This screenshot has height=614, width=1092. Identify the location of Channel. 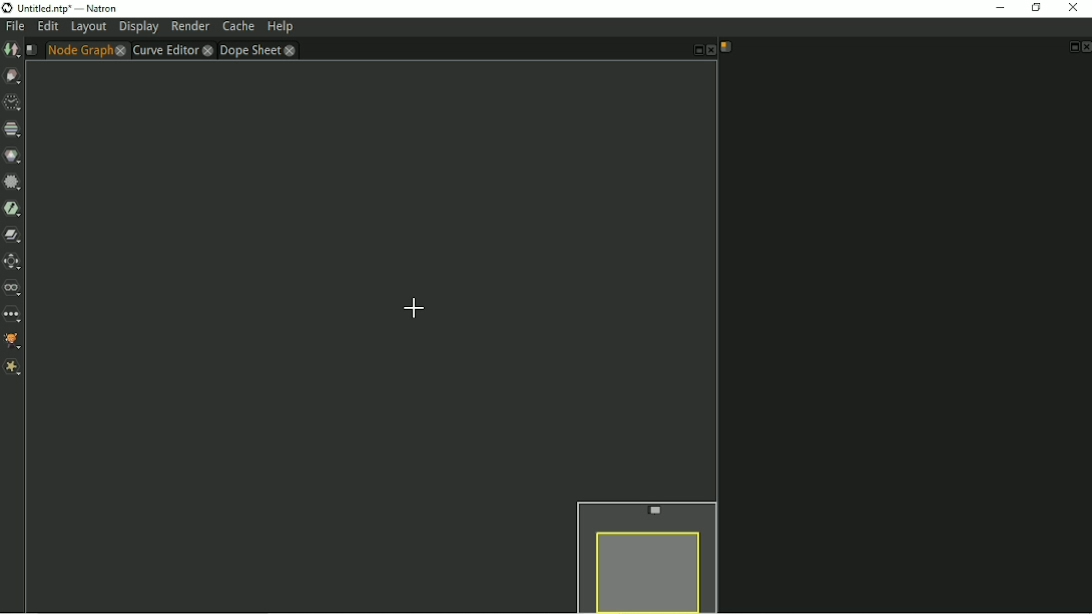
(12, 129).